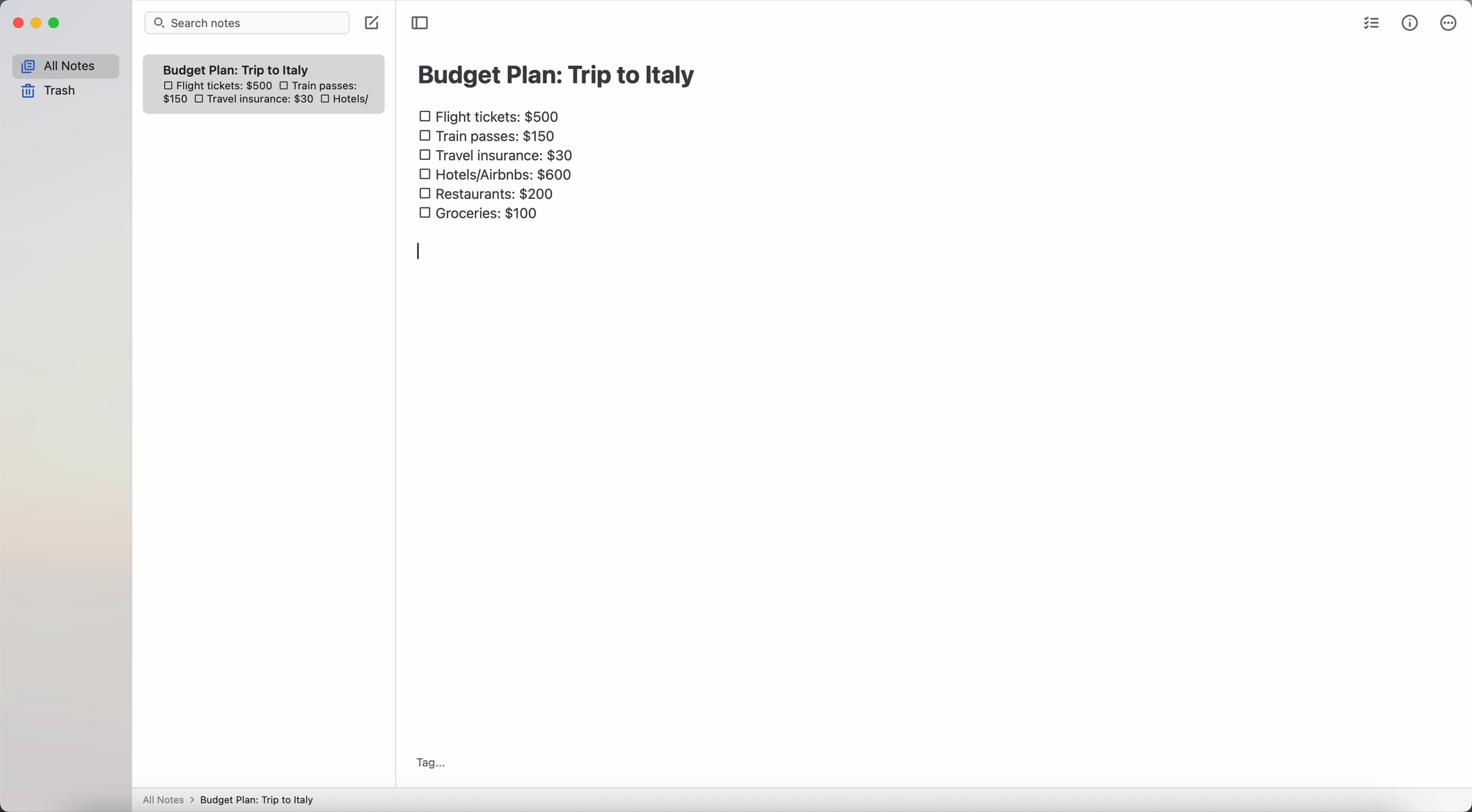  What do you see at coordinates (431, 763) in the screenshot?
I see `tag` at bounding box center [431, 763].